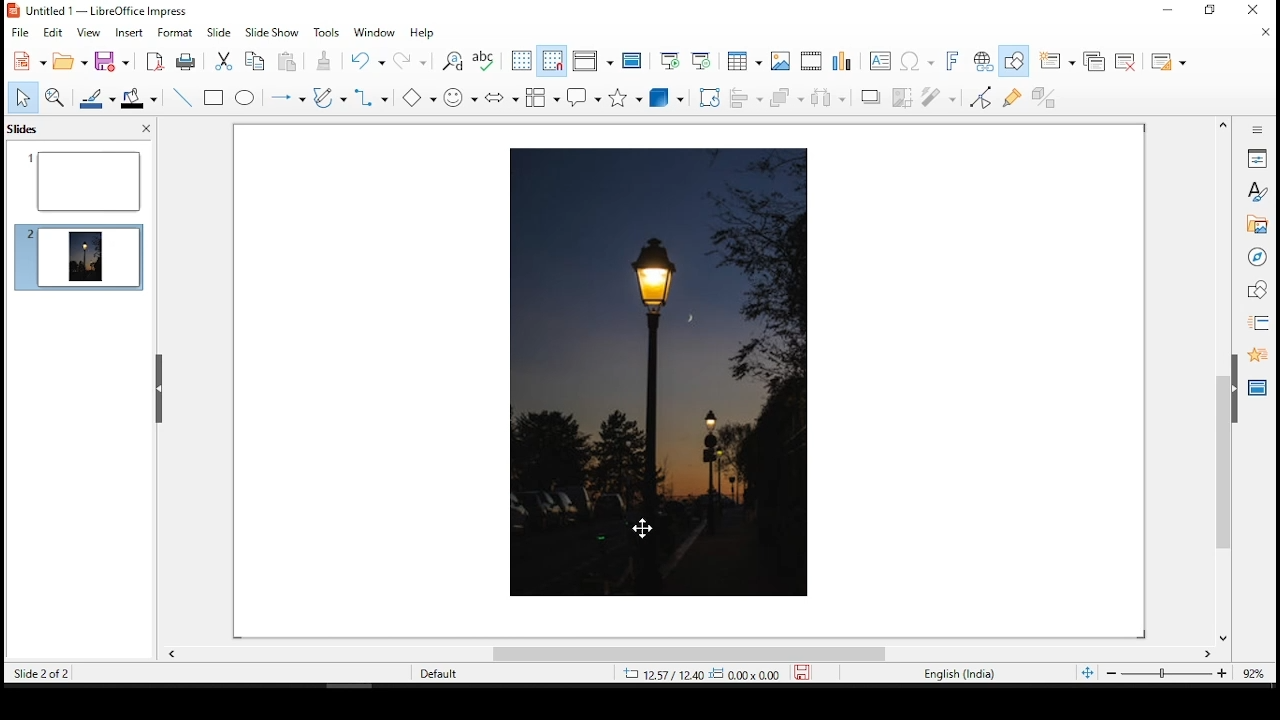 The width and height of the screenshot is (1280, 720). Describe the element at coordinates (879, 62) in the screenshot. I see `text box` at that location.